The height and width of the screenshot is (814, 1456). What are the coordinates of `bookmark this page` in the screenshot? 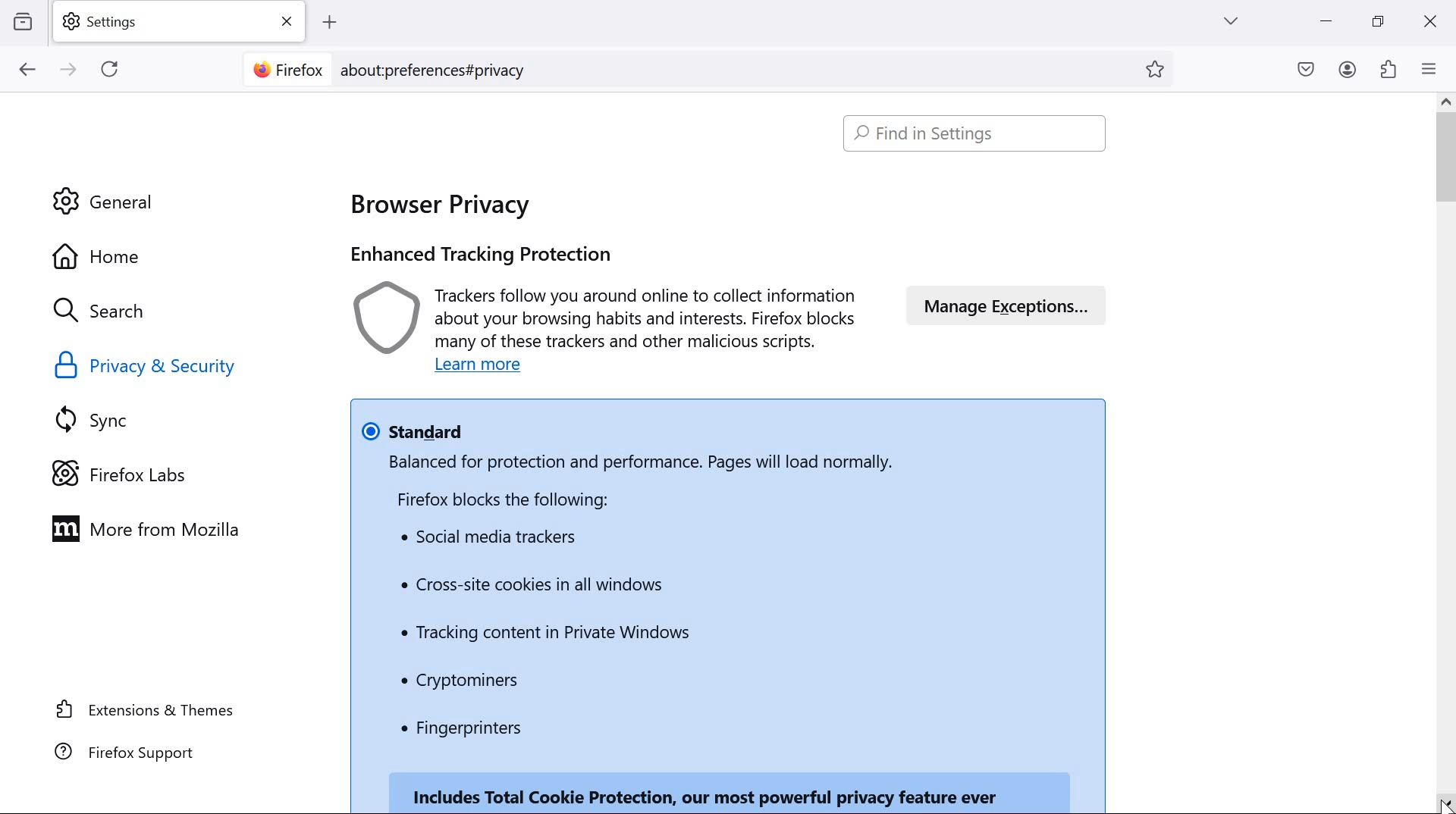 It's located at (1160, 70).